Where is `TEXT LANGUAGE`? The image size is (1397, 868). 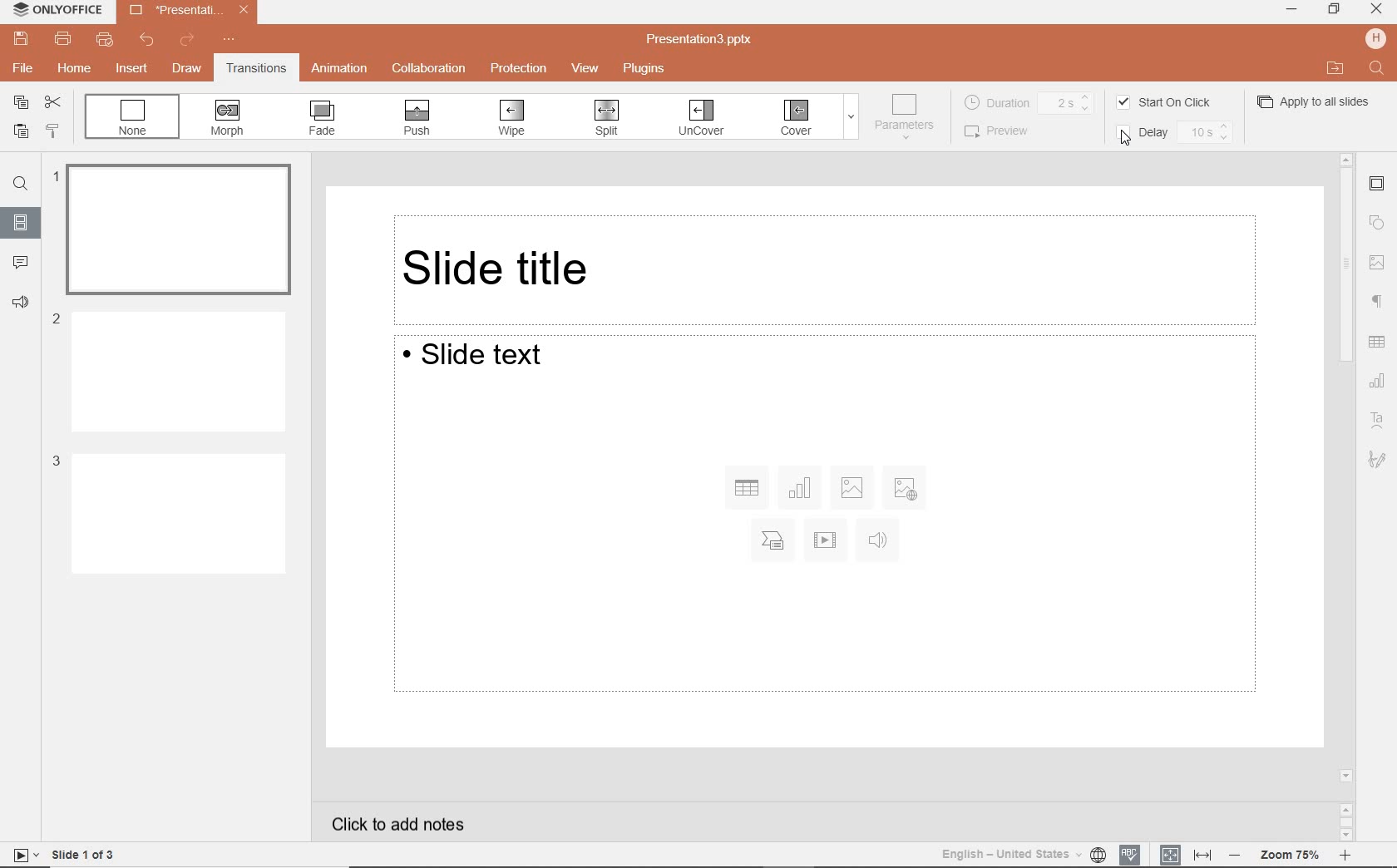 TEXT LANGUAGE is located at coordinates (1022, 854).